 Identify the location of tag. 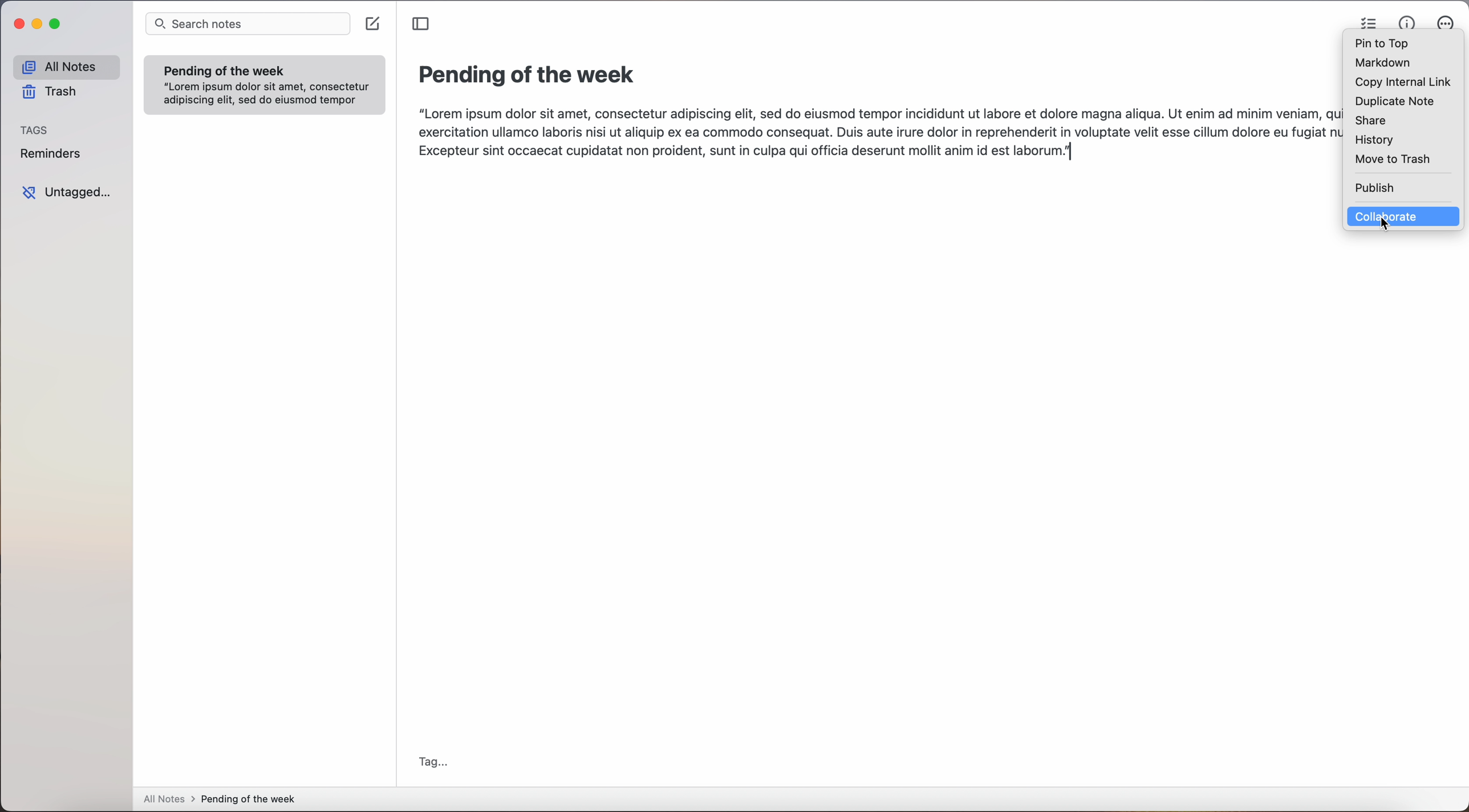
(435, 761).